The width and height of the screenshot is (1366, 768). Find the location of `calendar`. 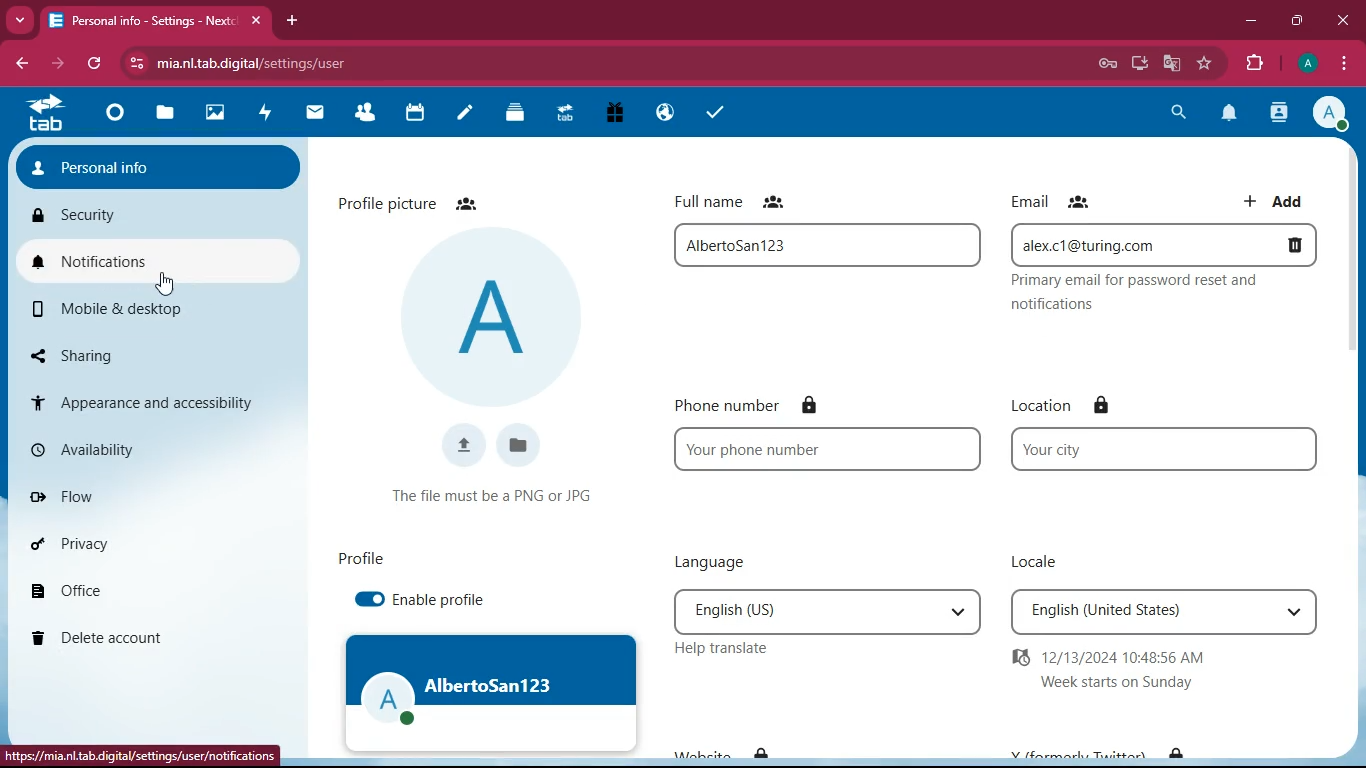

calendar is located at coordinates (419, 114).